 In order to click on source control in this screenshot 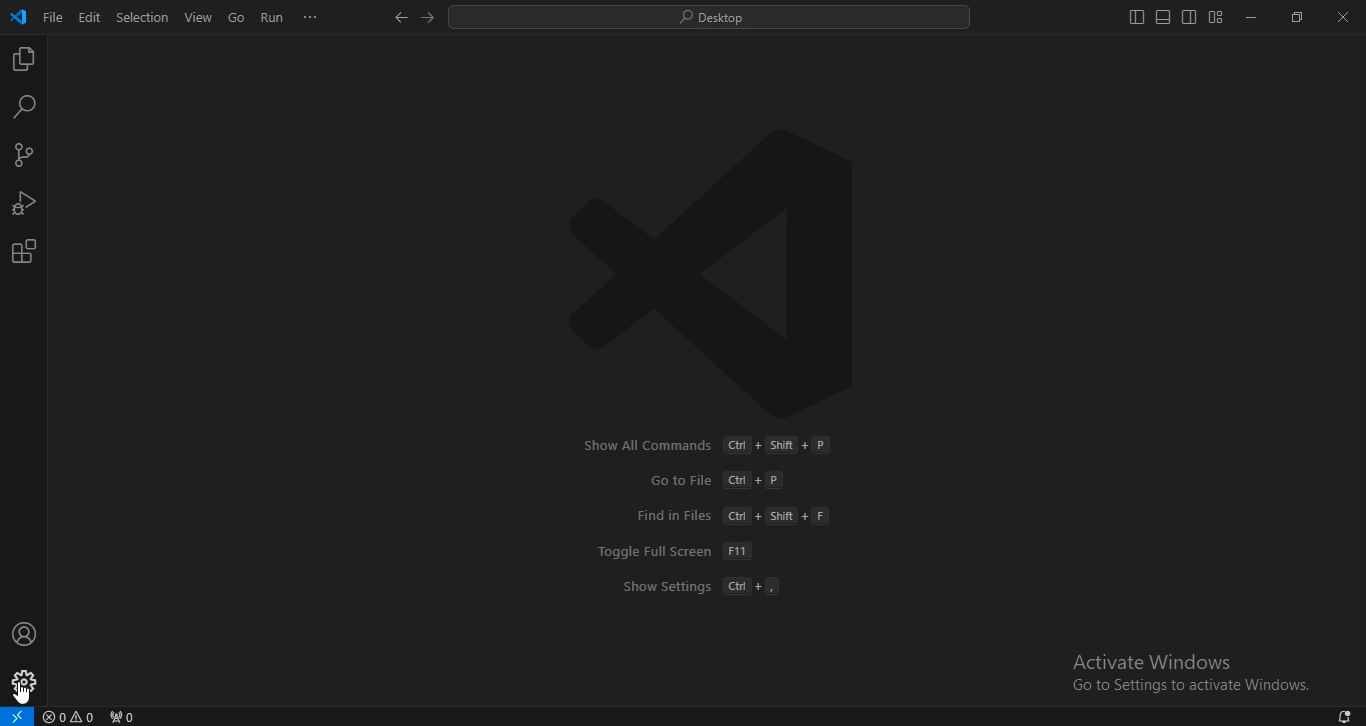, I will do `click(24, 157)`.